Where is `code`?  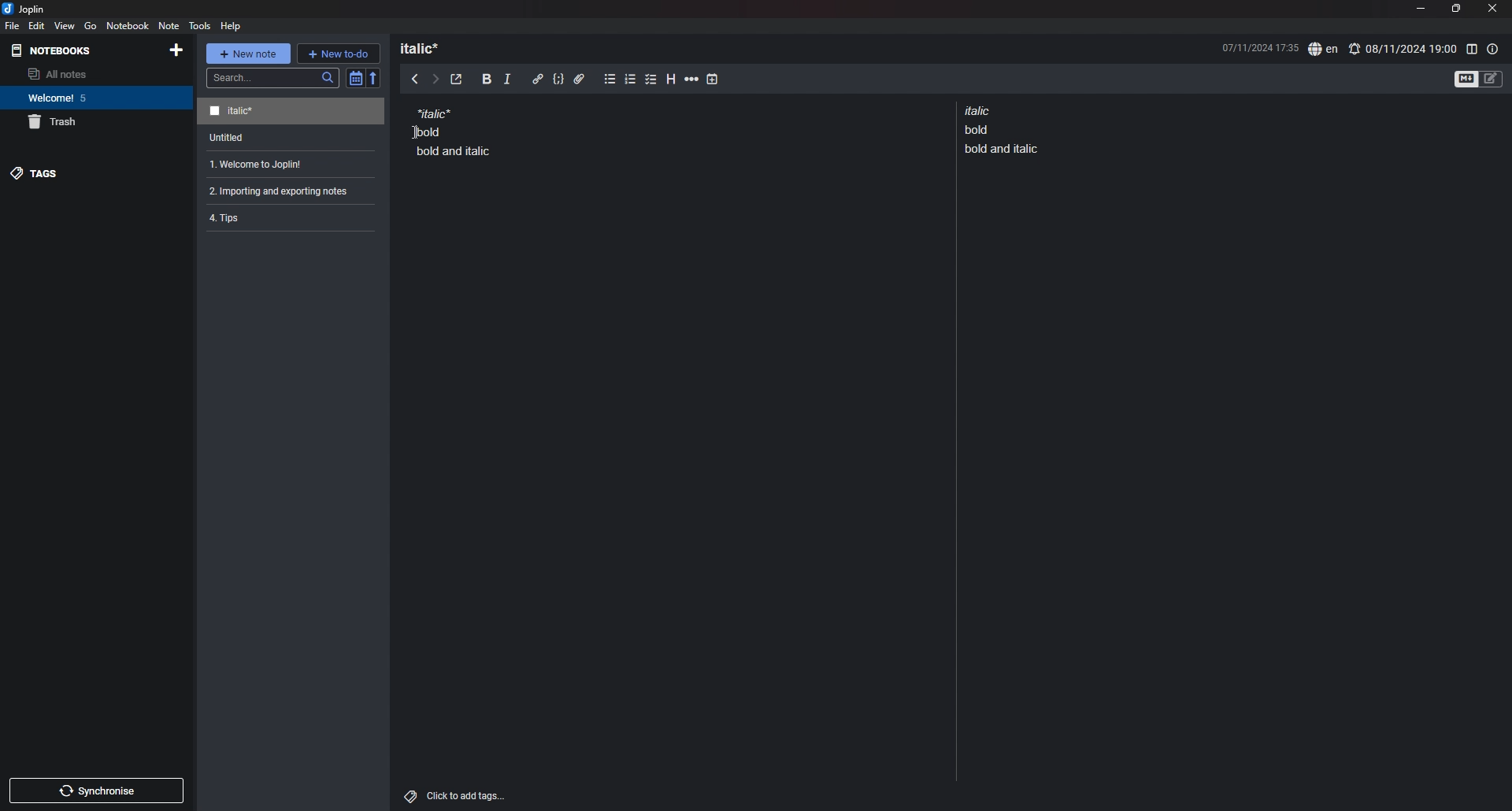 code is located at coordinates (558, 80).